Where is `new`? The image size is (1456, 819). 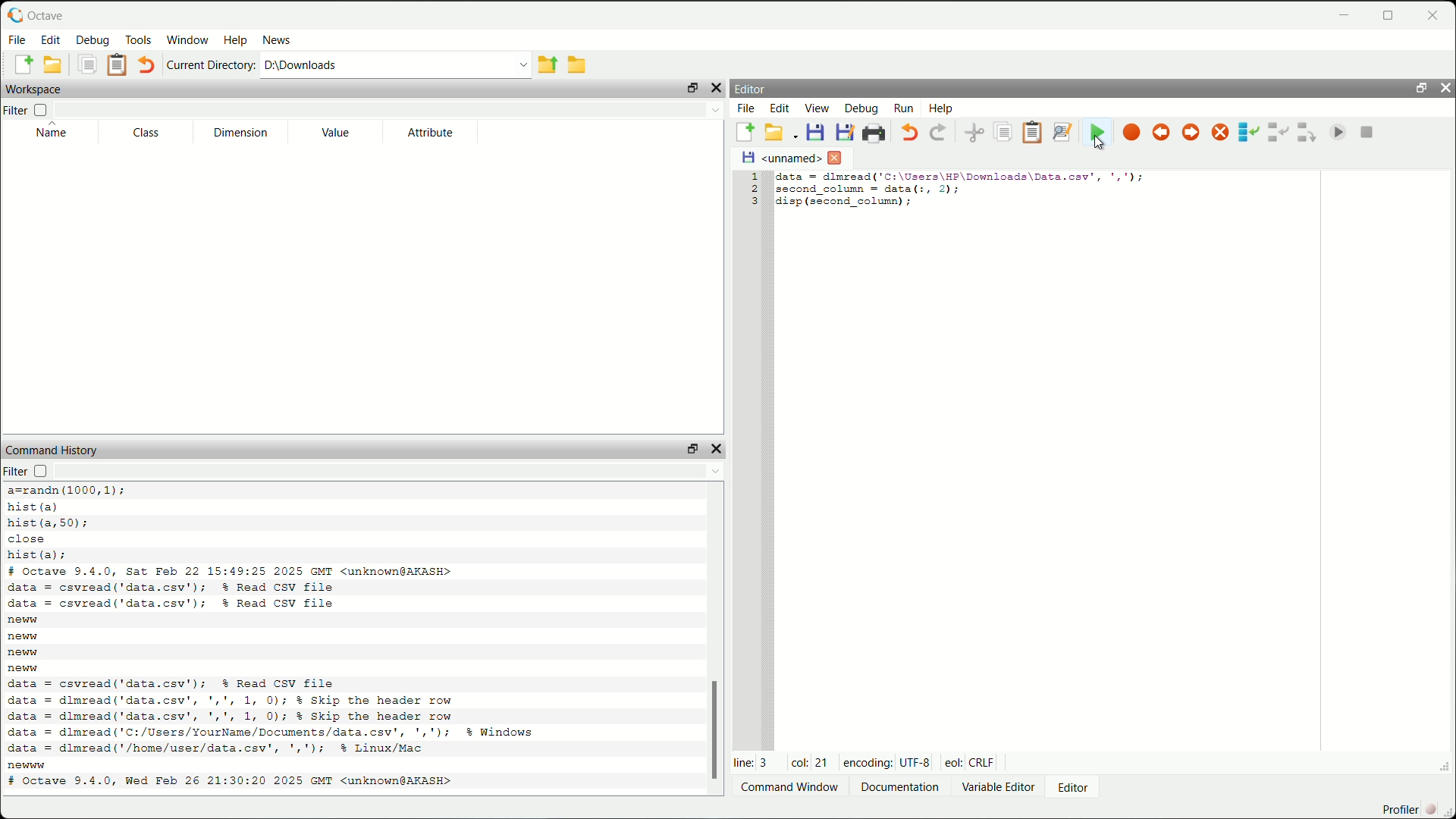
new is located at coordinates (35, 766).